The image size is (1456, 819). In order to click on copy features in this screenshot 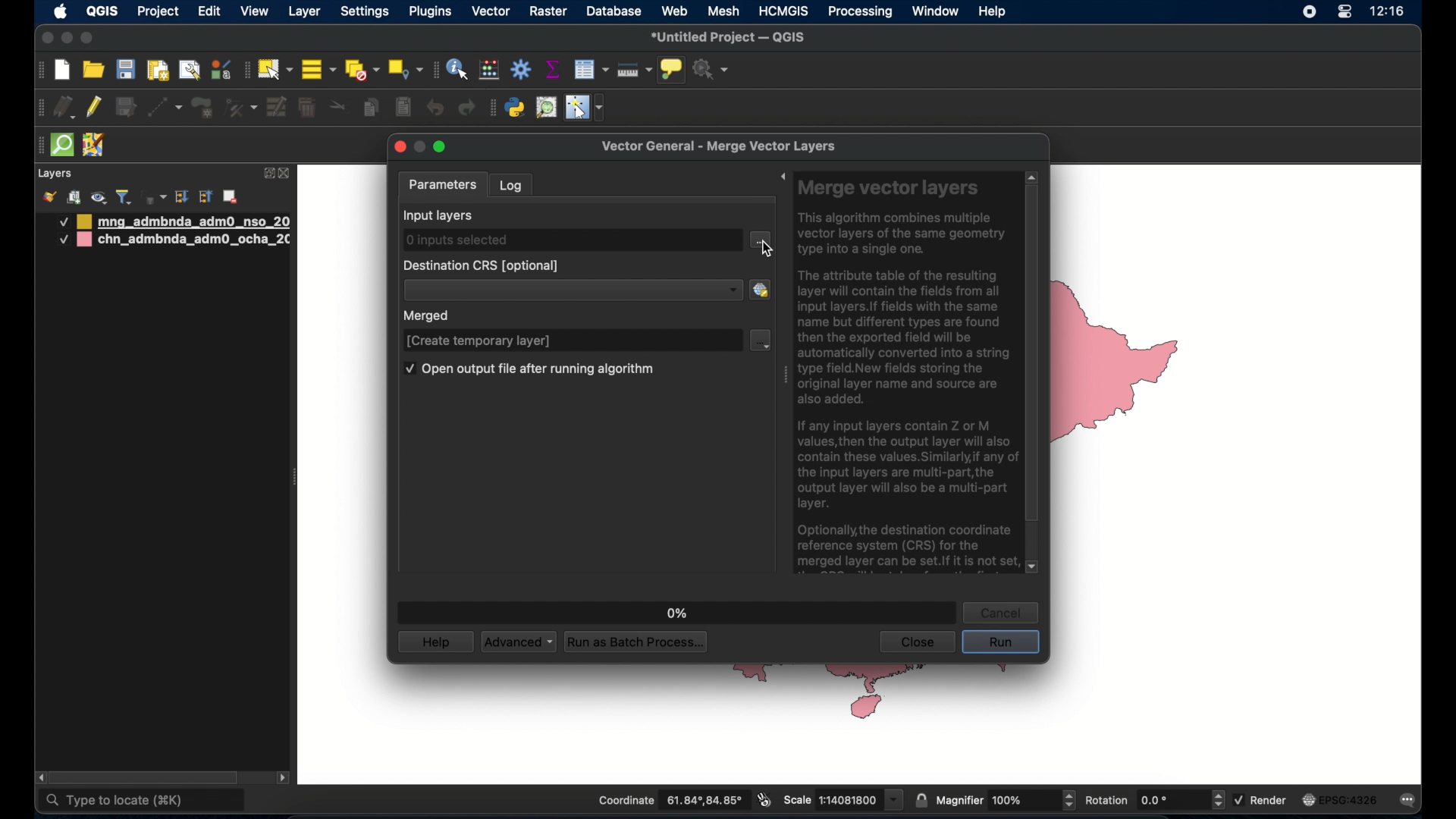, I will do `click(371, 109)`.